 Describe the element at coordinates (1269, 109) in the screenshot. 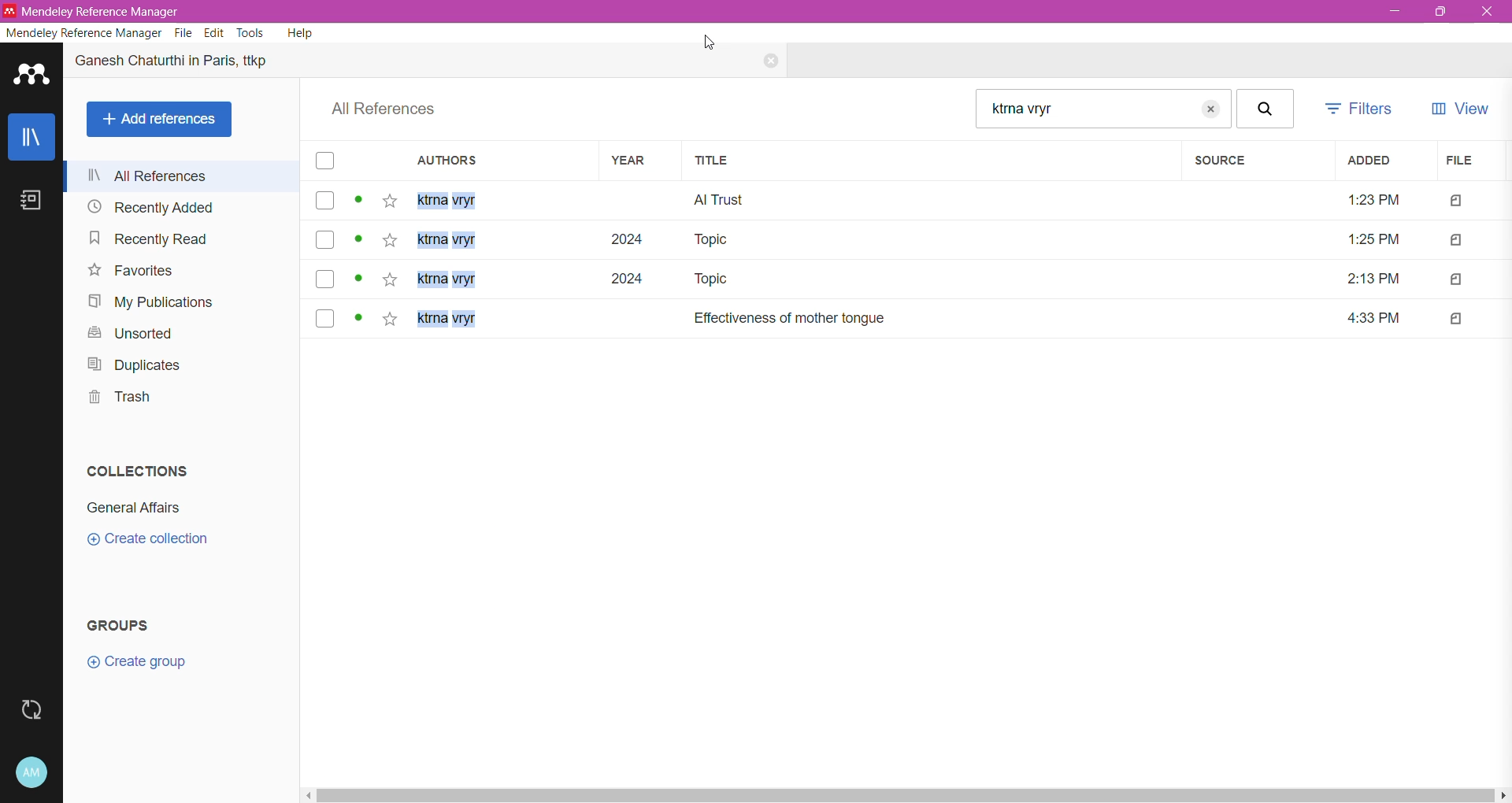

I see `Click to Search` at that location.